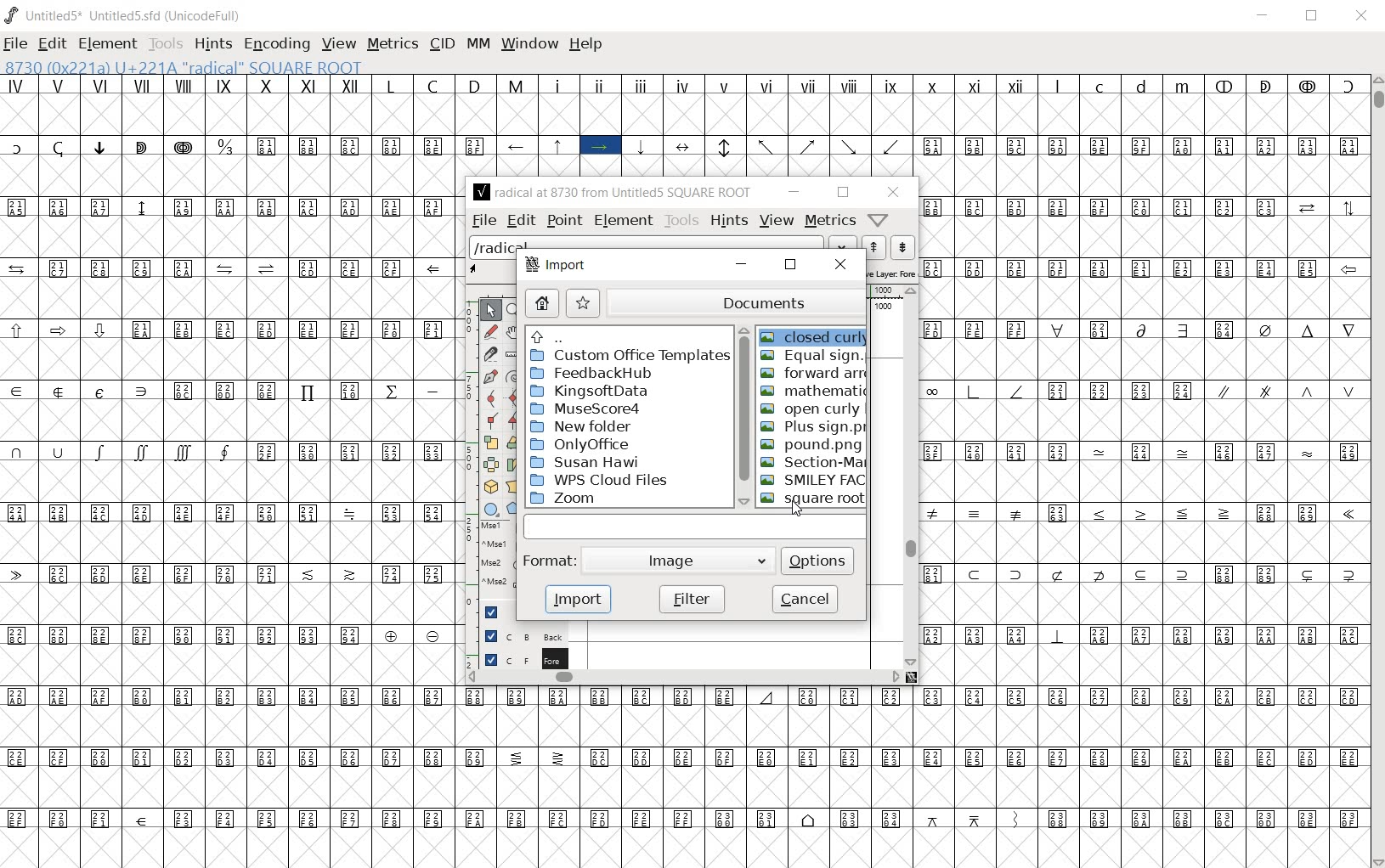 This screenshot has height=868, width=1385. What do you see at coordinates (792, 192) in the screenshot?
I see `minimize` at bounding box center [792, 192].